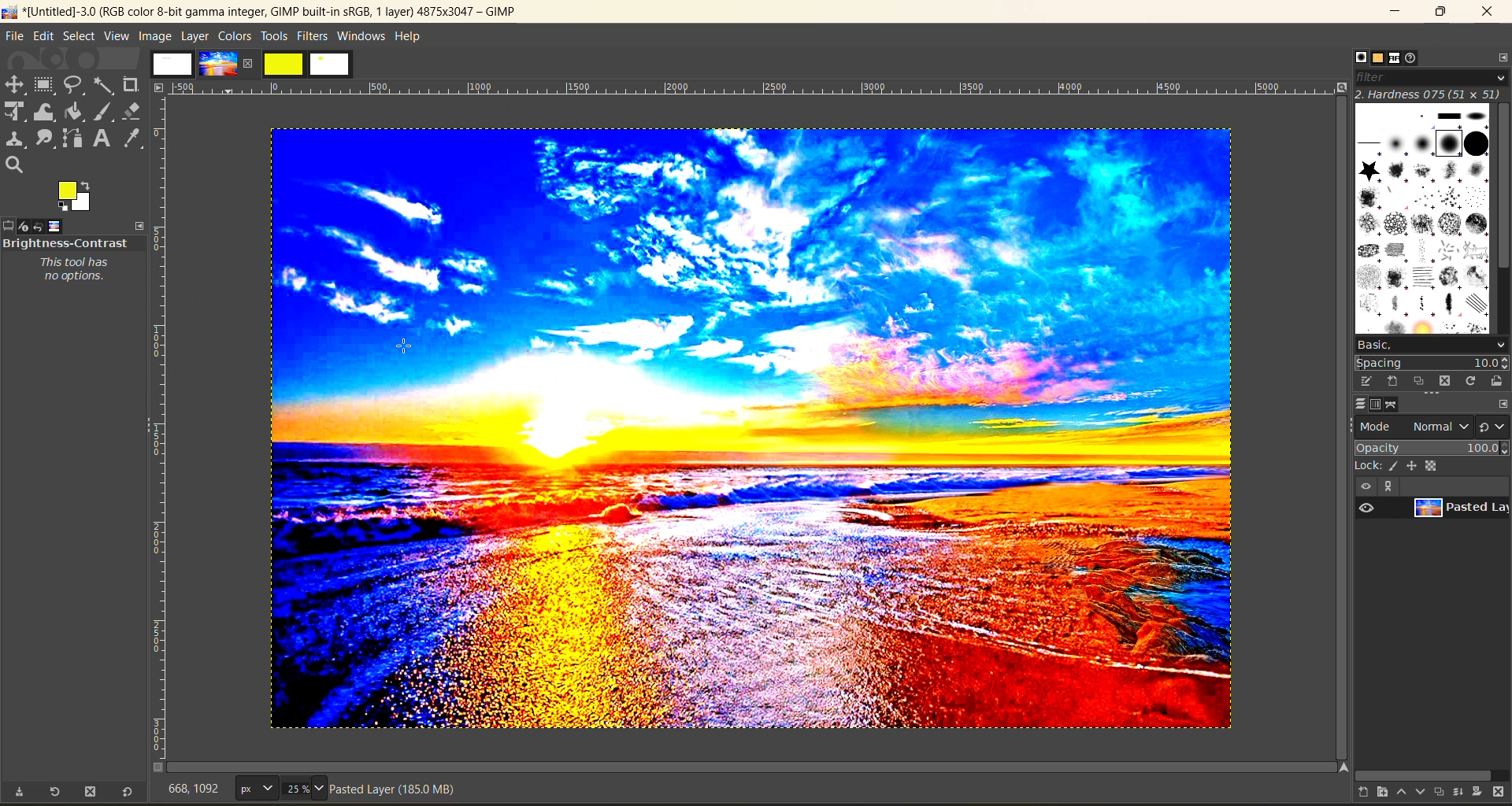 Image resolution: width=1512 pixels, height=806 pixels. I want to click on fonts, so click(1399, 60).